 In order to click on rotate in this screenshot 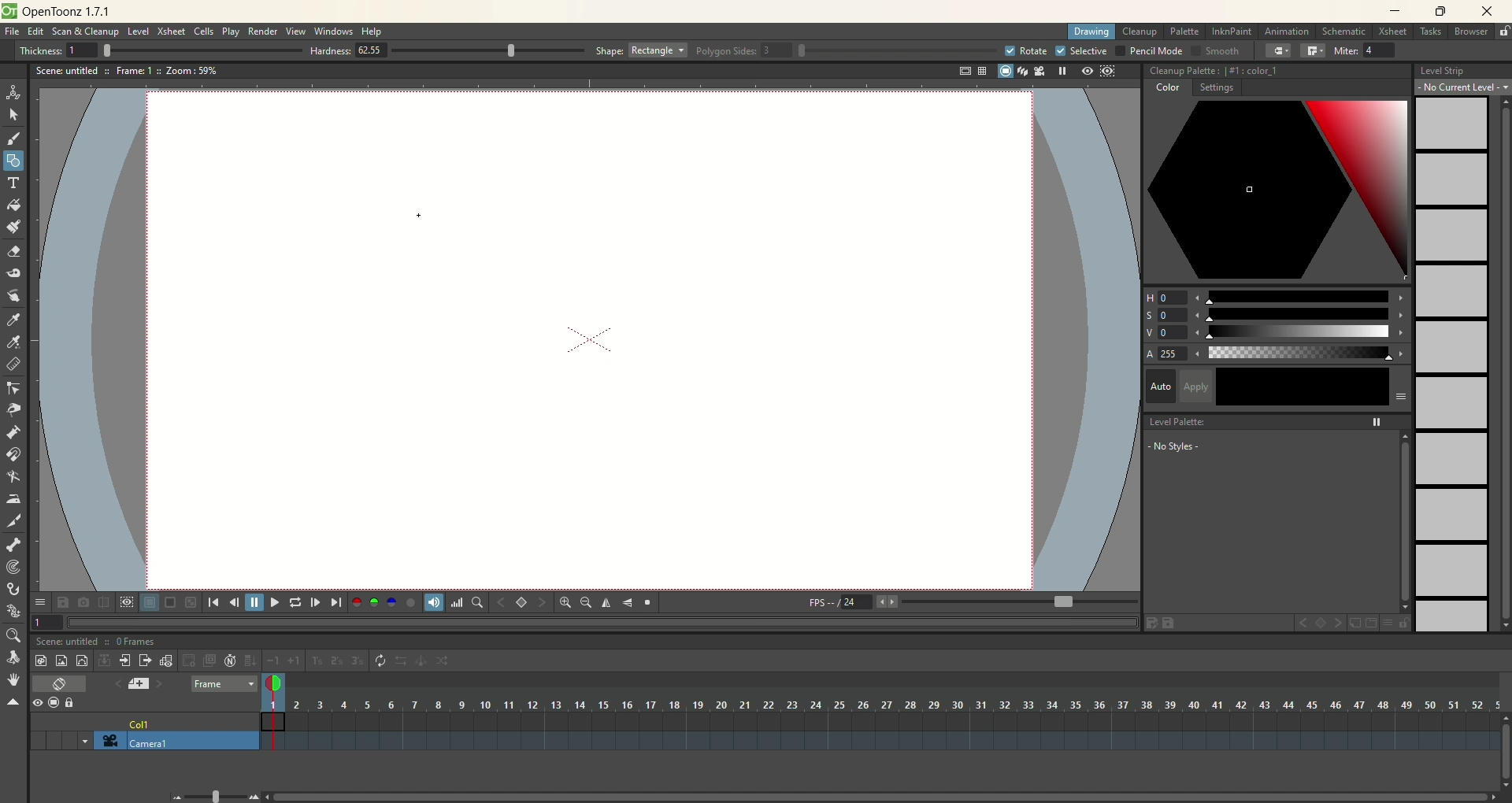, I will do `click(16, 658)`.